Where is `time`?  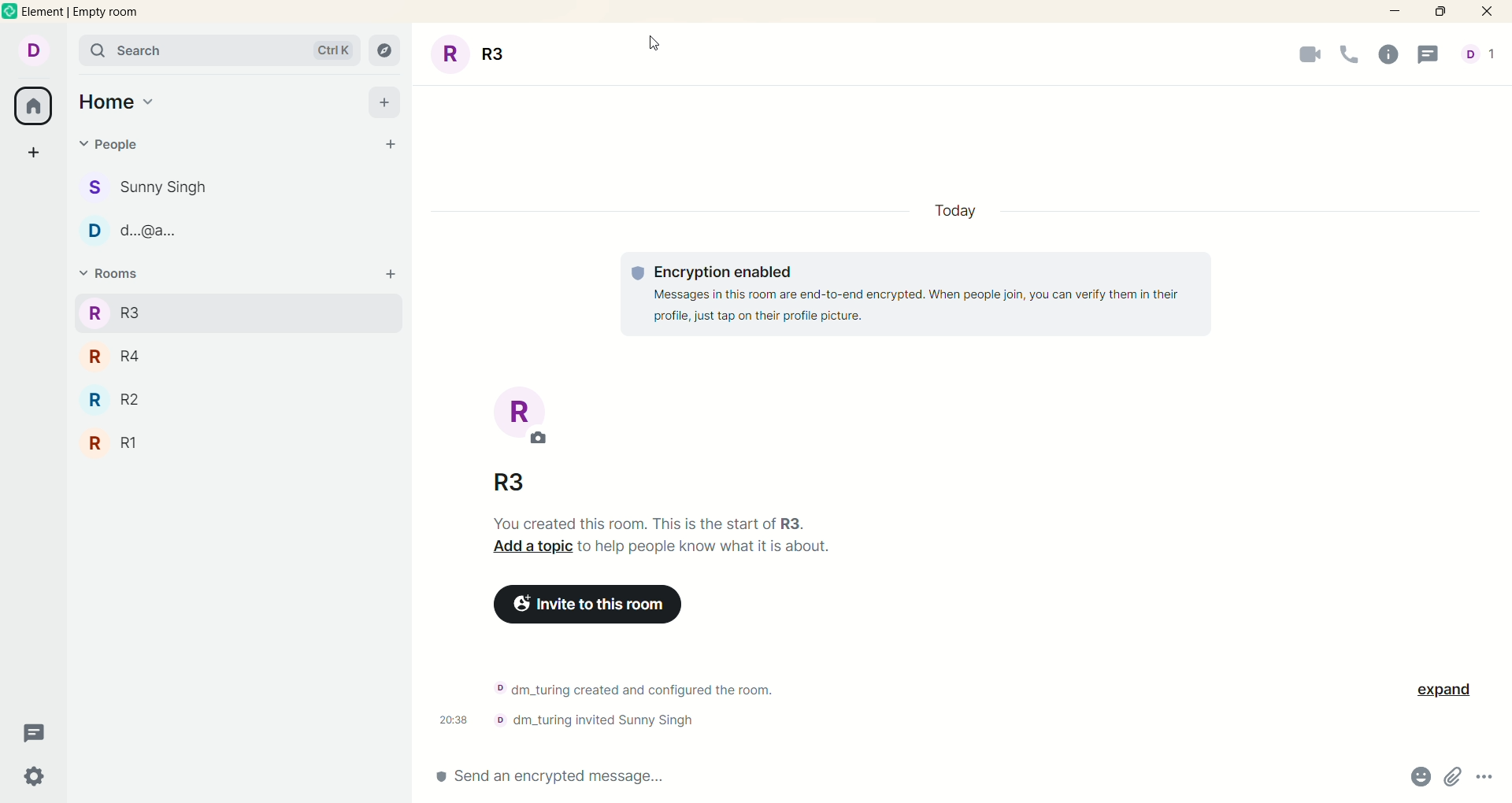 time is located at coordinates (450, 716).